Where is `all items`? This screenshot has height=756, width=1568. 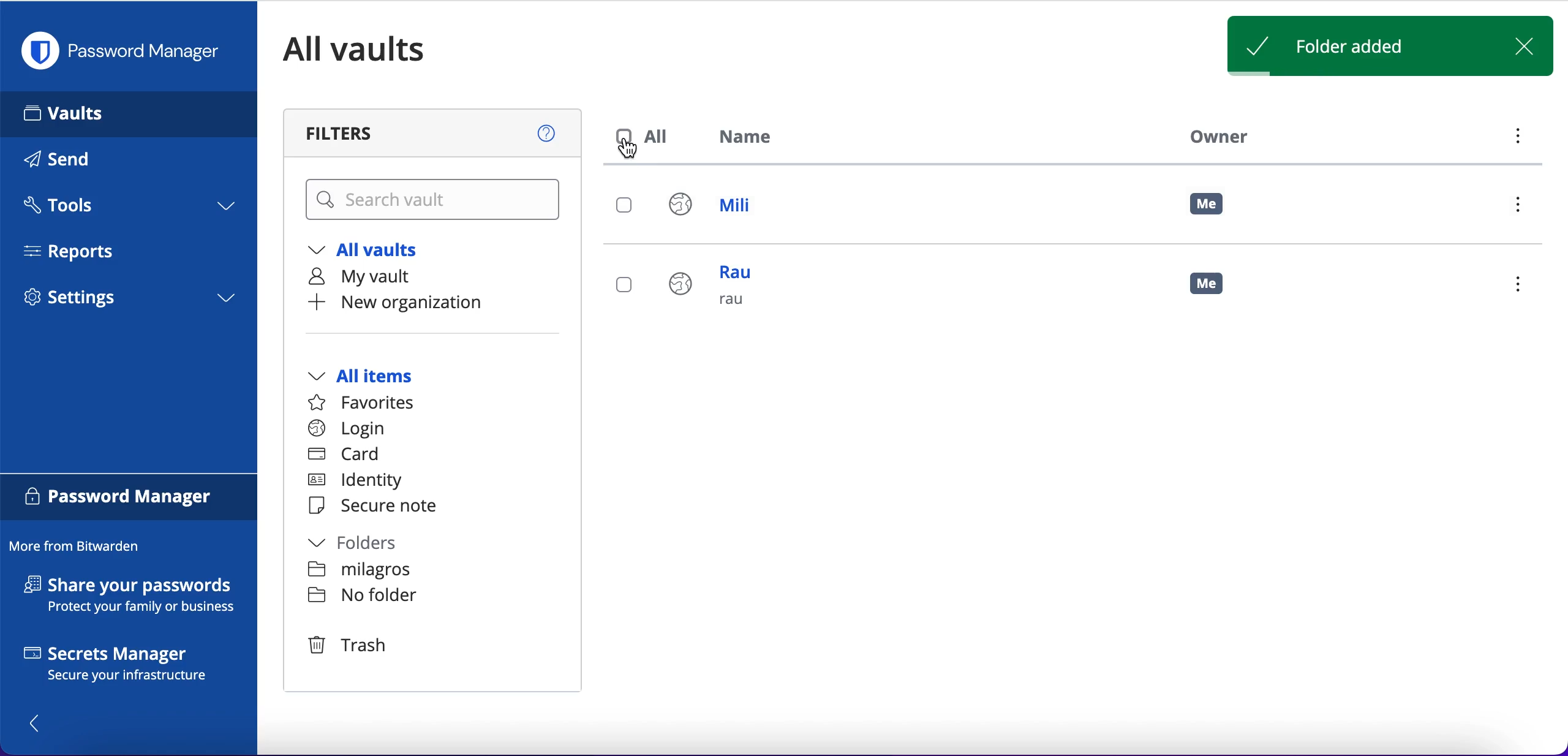 all items is located at coordinates (379, 377).